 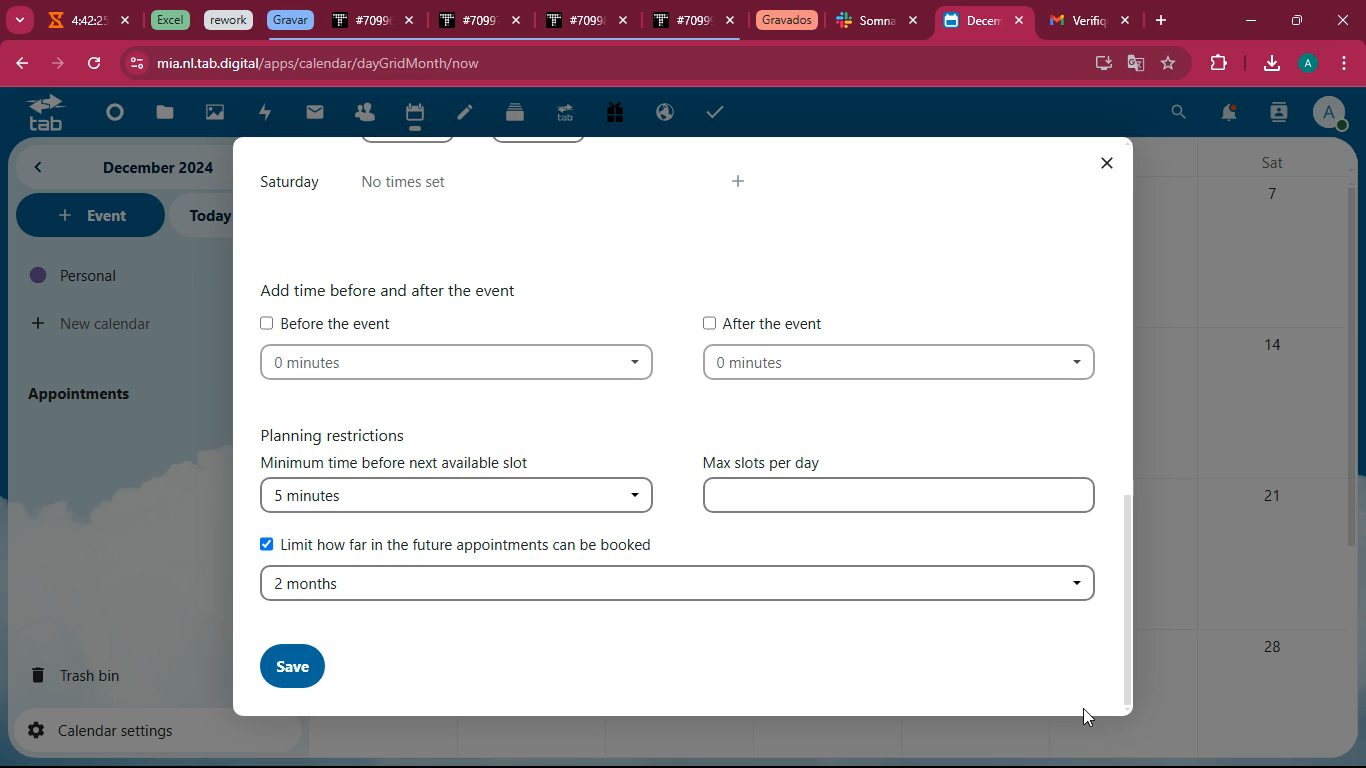 I want to click on time, so click(x=906, y=365).